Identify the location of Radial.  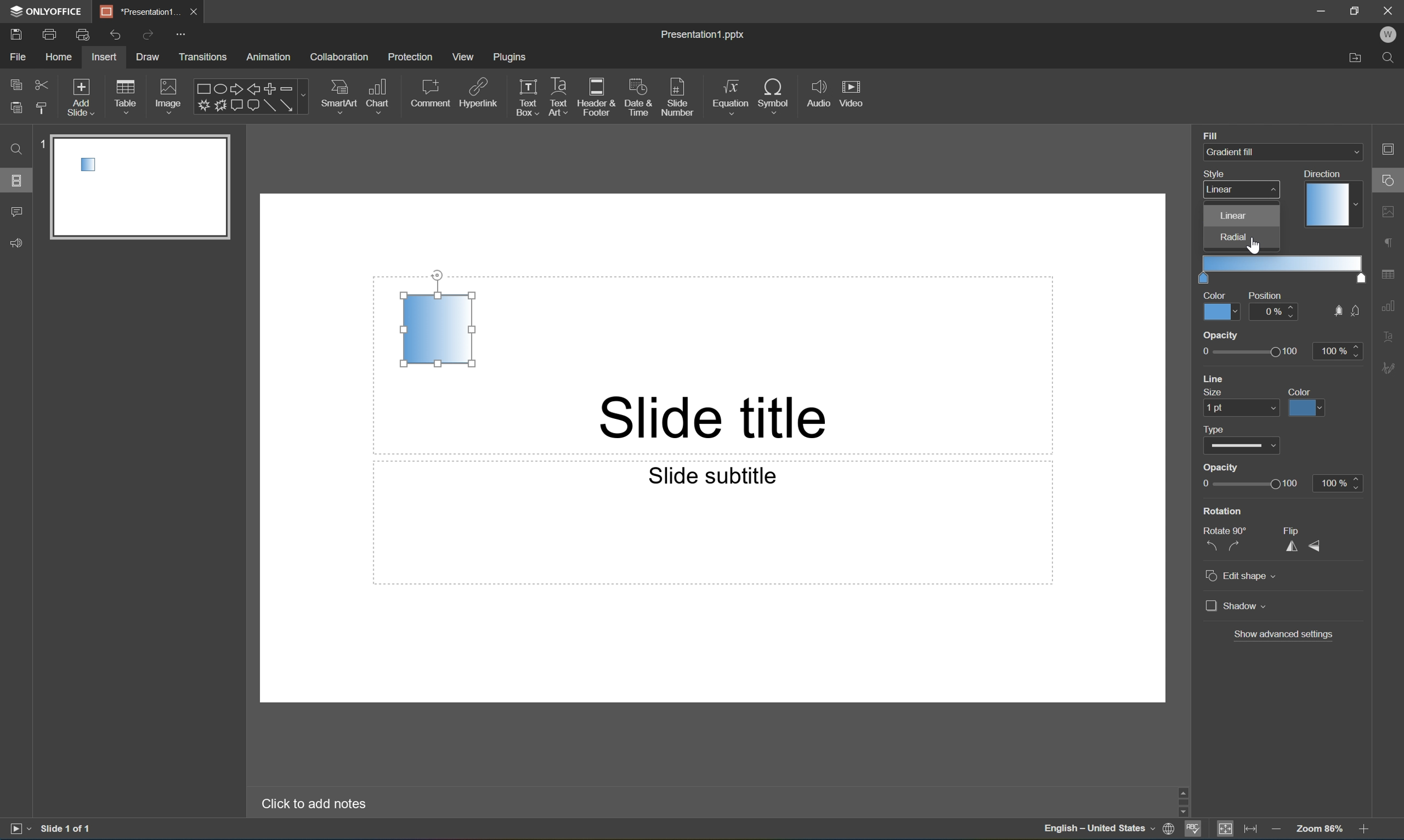
(1230, 238).